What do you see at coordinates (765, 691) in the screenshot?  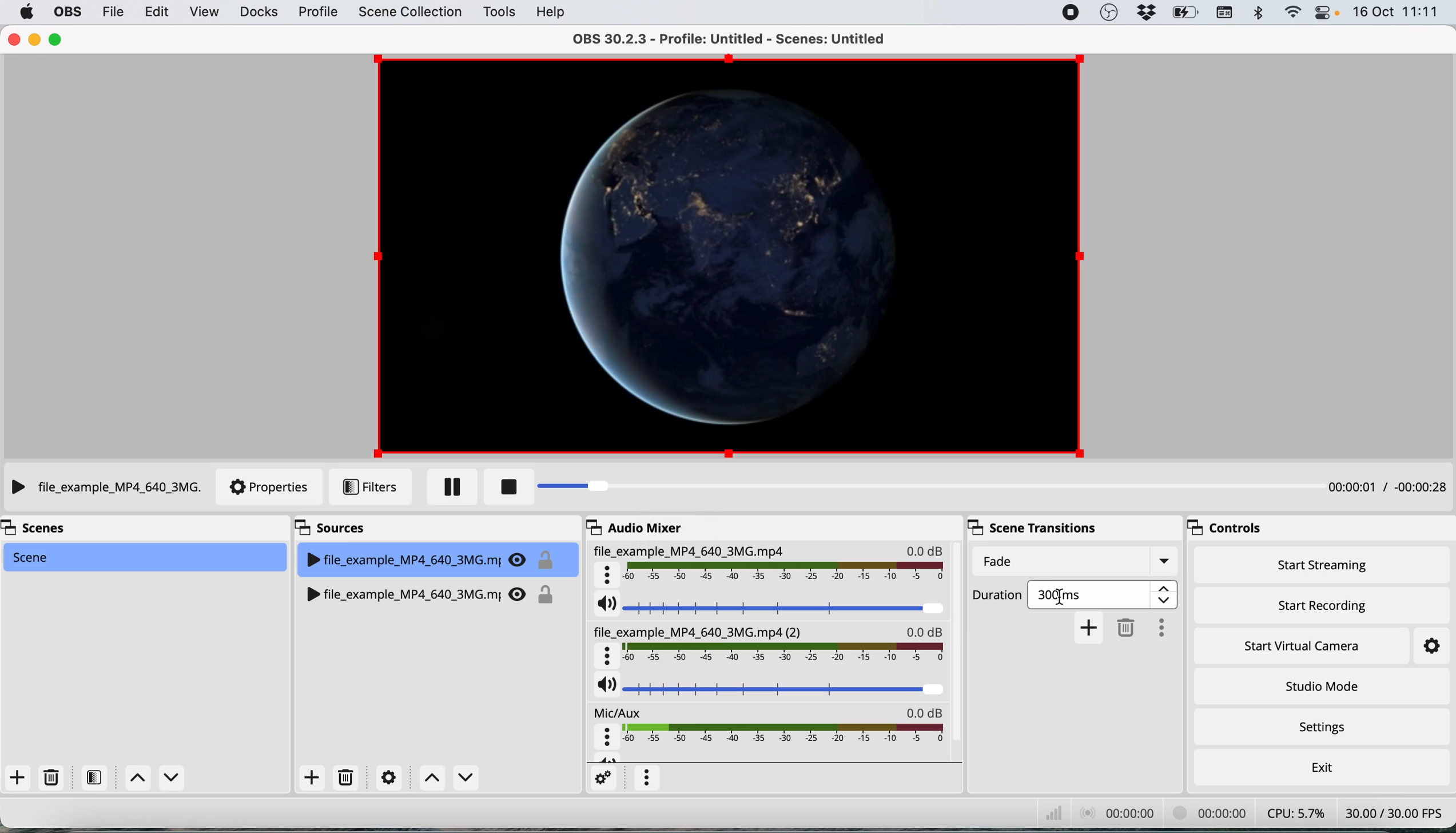 I see `source audio volume` at bounding box center [765, 691].